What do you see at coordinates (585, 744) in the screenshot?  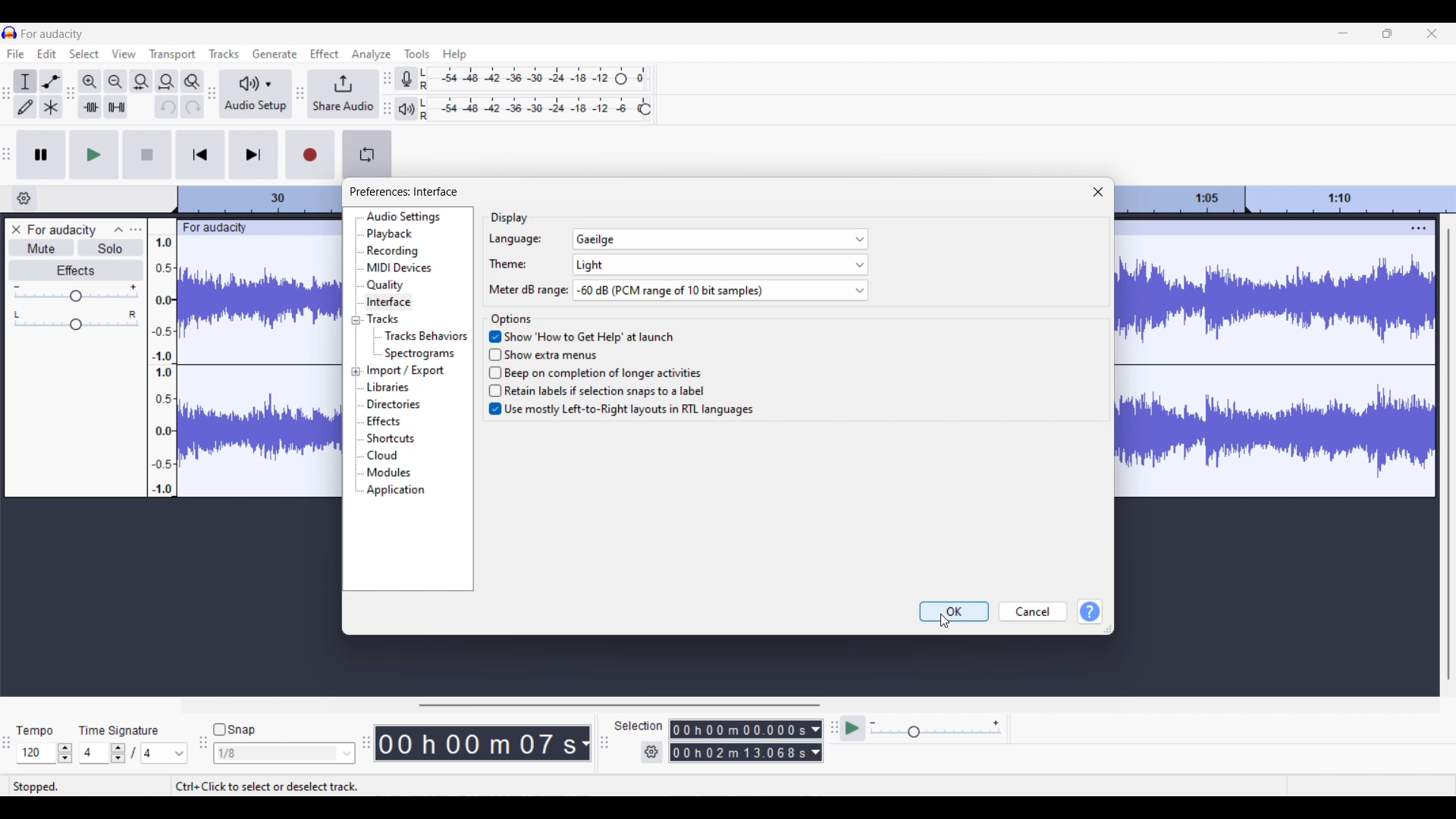 I see `Measurement ` at bounding box center [585, 744].